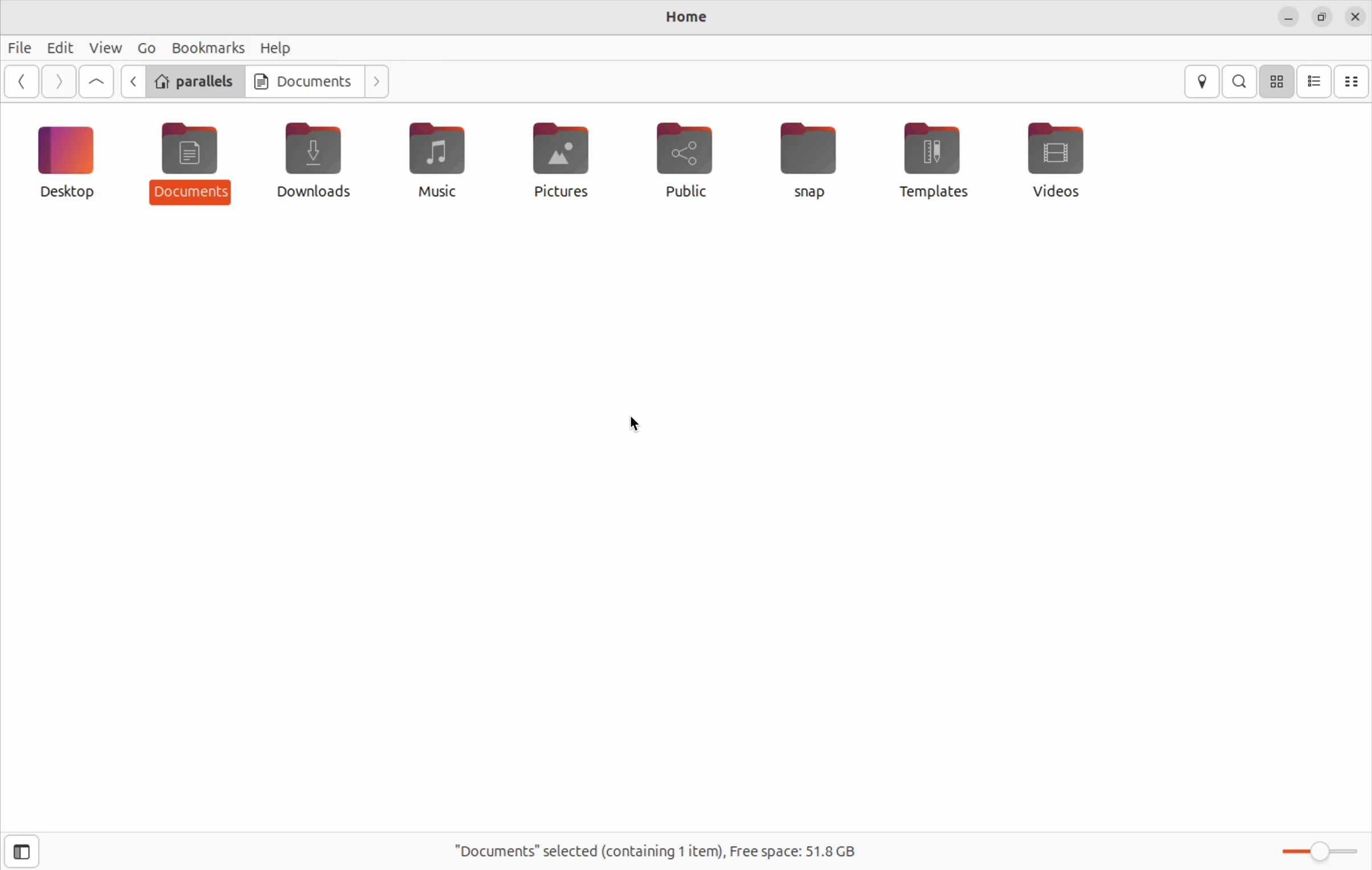  I want to click on compact view, so click(1355, 80).